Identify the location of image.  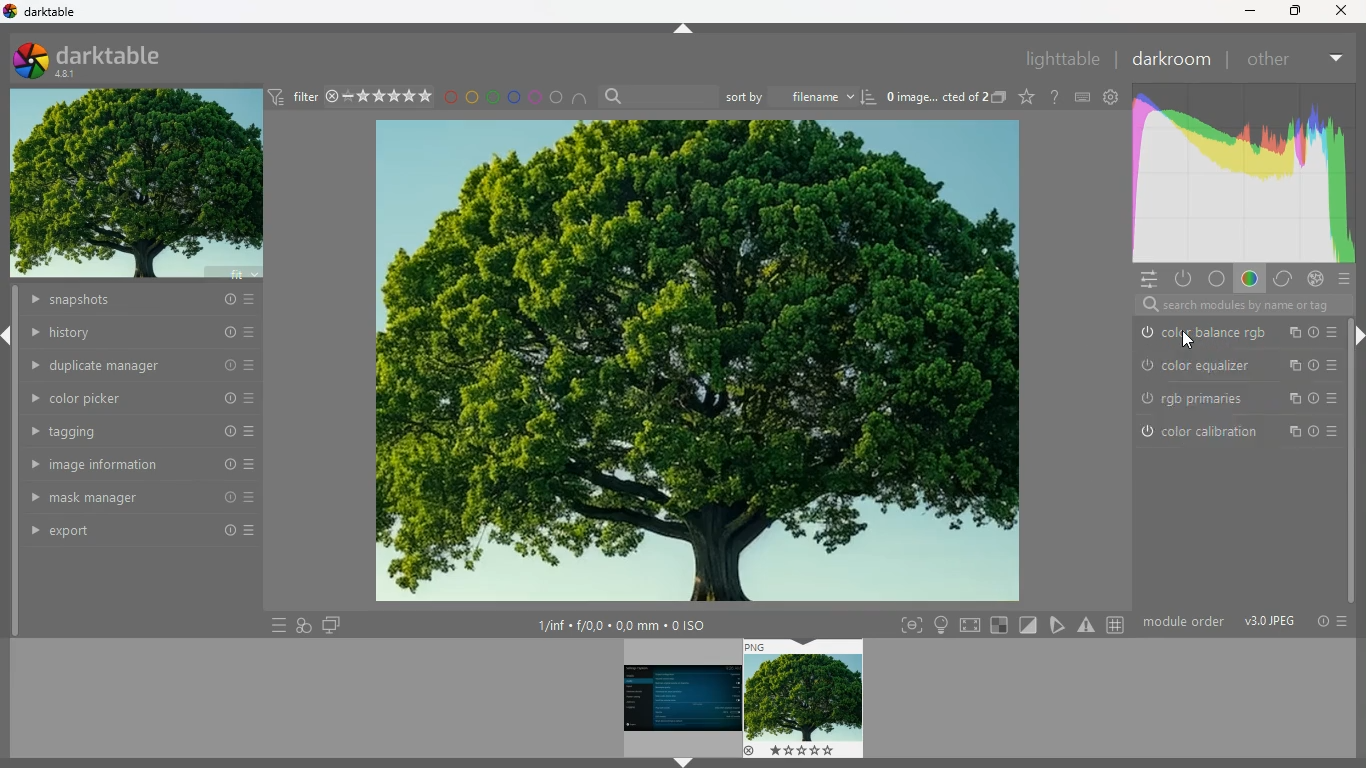
(692, 362).